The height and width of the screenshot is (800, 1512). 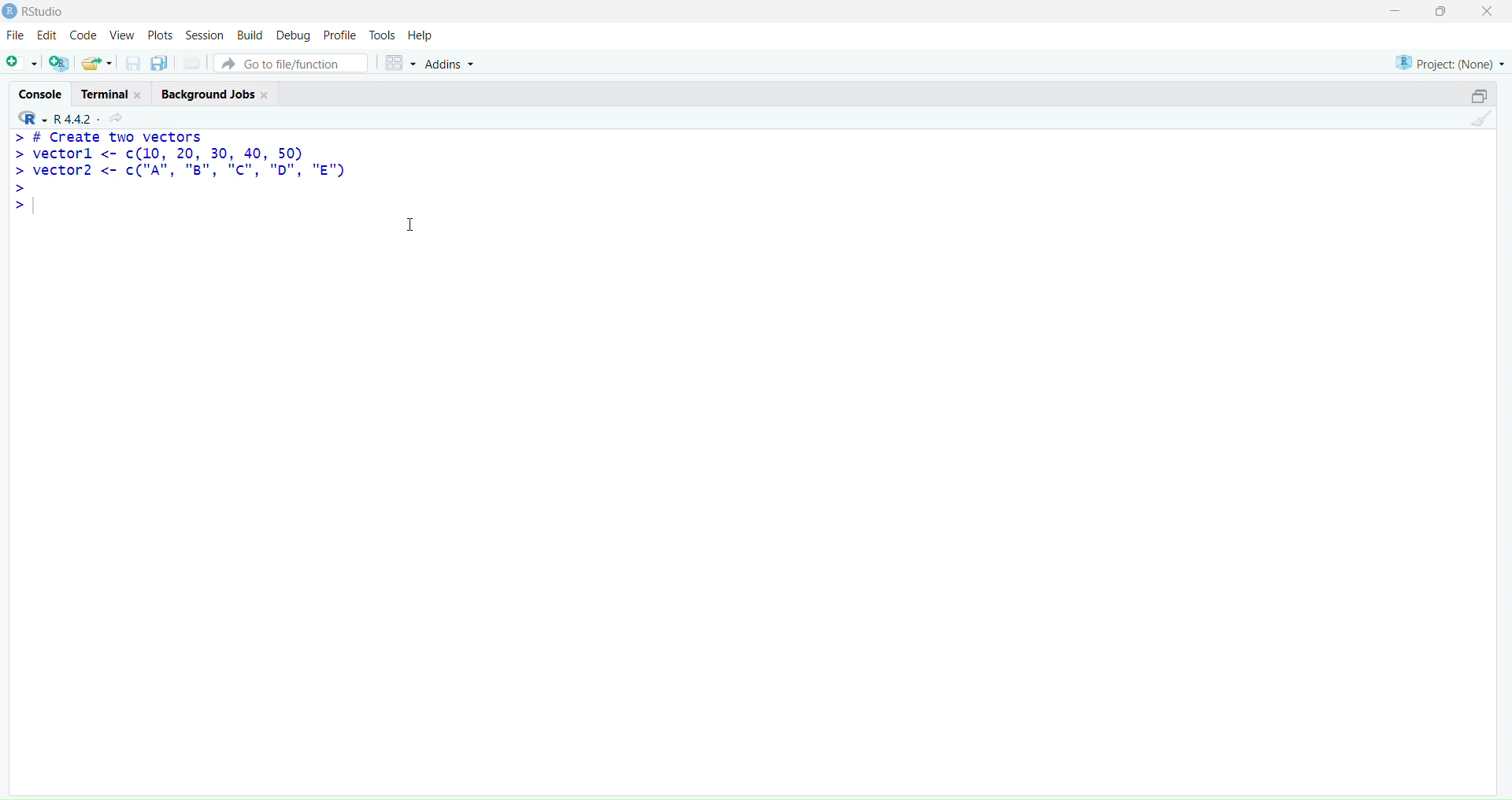 I want to click on Project: (None), so click(x=1448, y=63).